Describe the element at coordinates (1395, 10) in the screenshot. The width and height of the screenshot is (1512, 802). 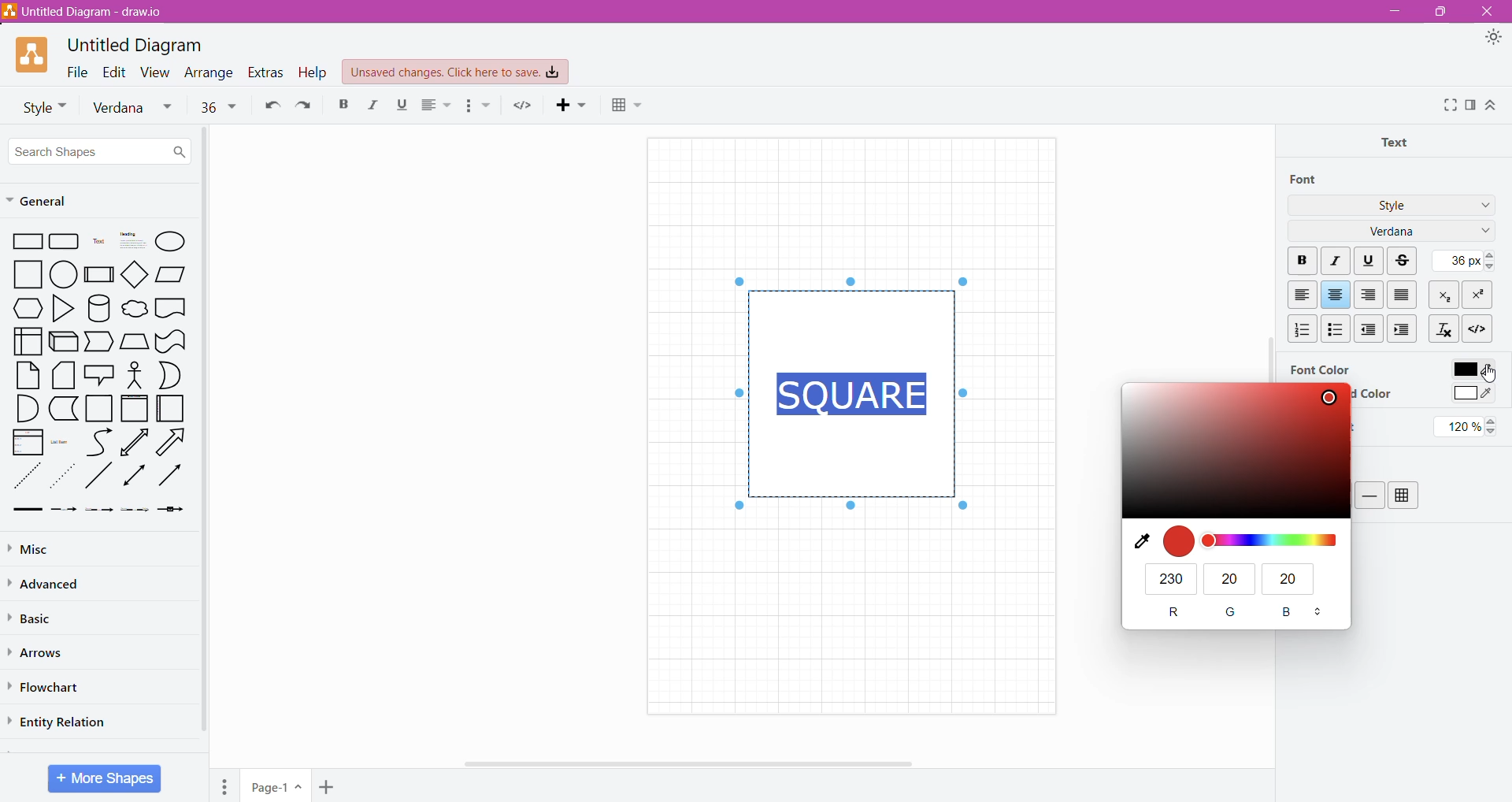
I see `Minimize` at that location.